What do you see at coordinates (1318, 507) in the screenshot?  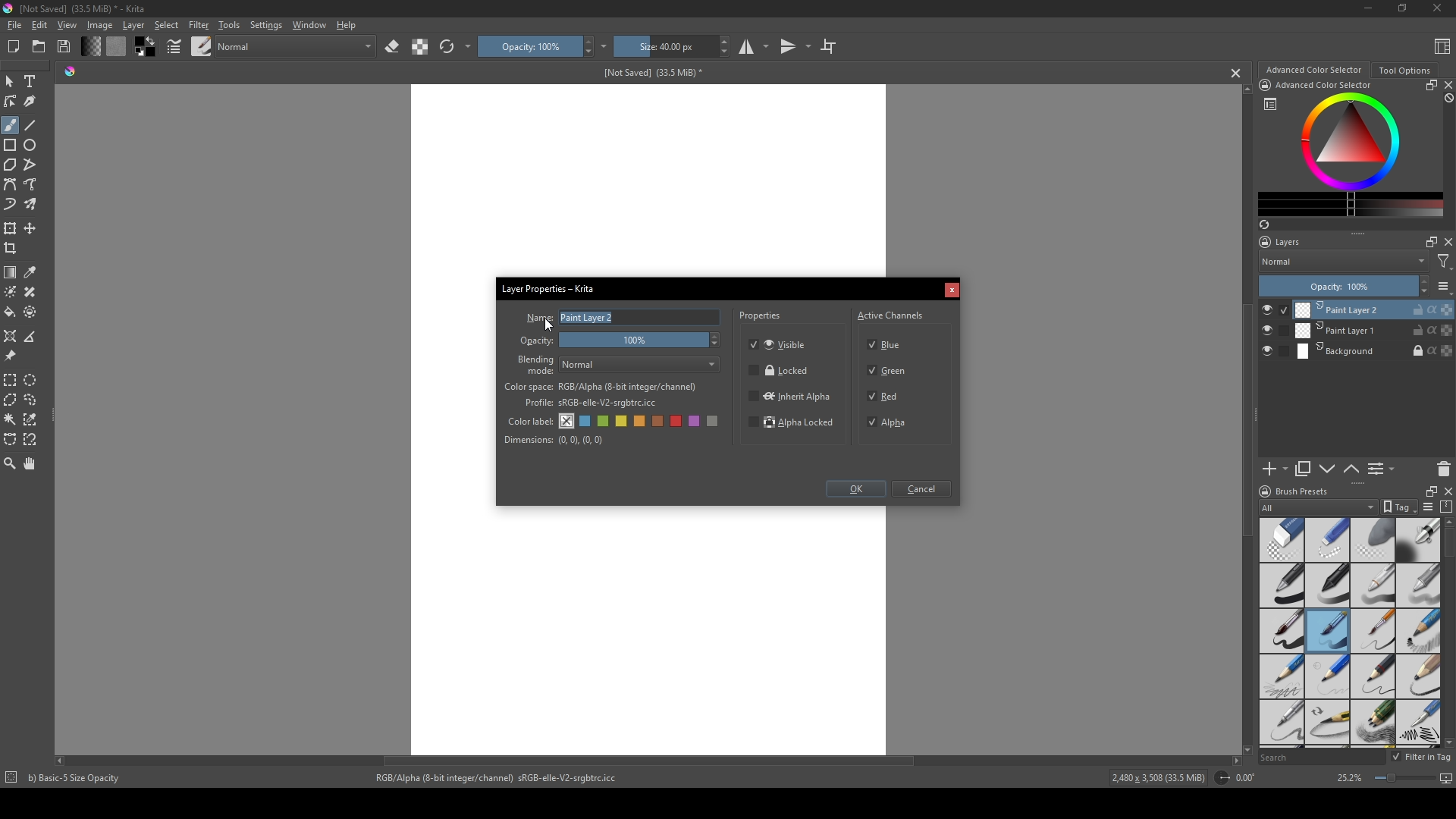 I see `All` at bounding box center [1318, 507].